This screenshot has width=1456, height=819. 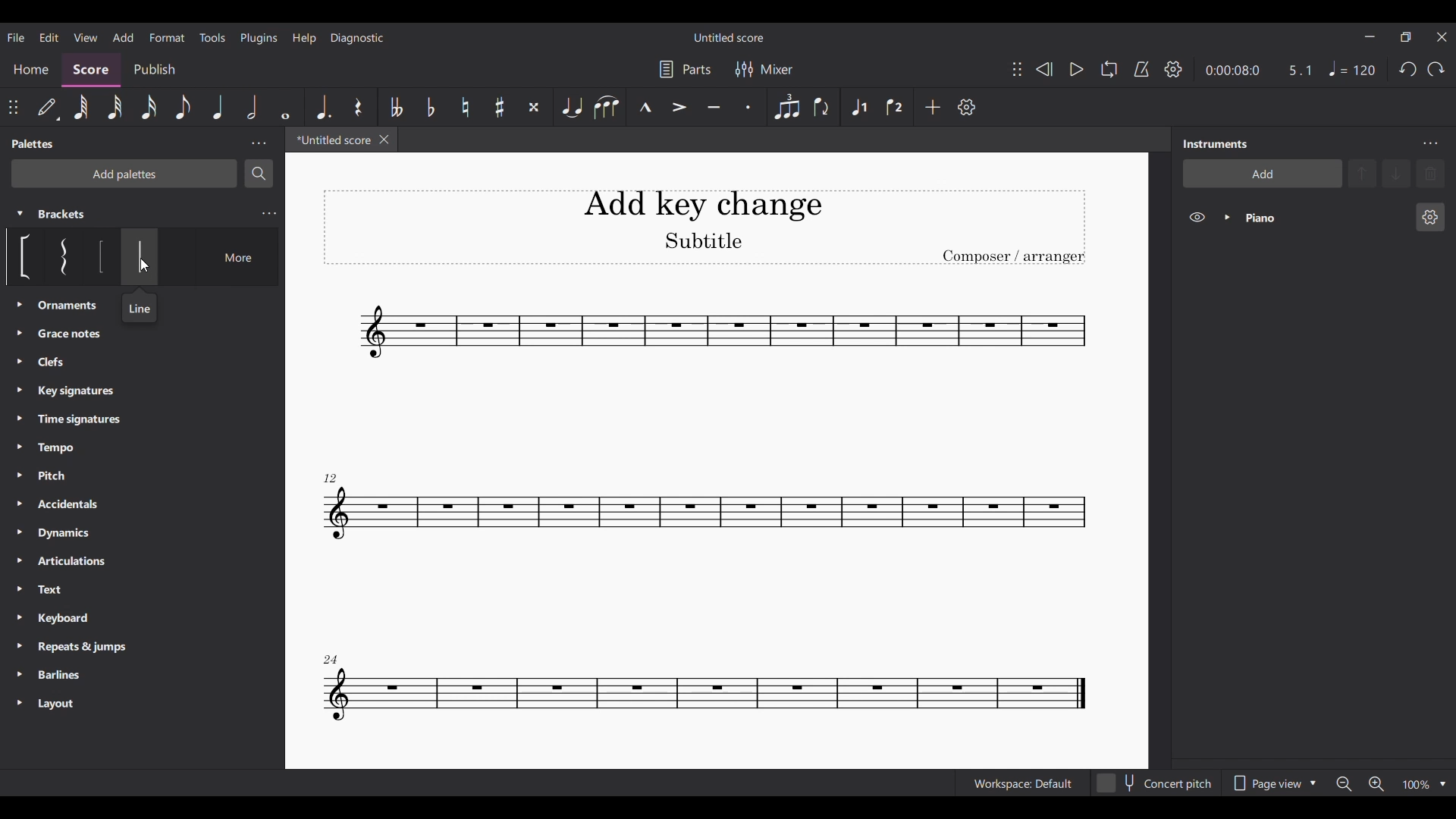 I want to click on Expand palettes, so click(x=20, y=504).